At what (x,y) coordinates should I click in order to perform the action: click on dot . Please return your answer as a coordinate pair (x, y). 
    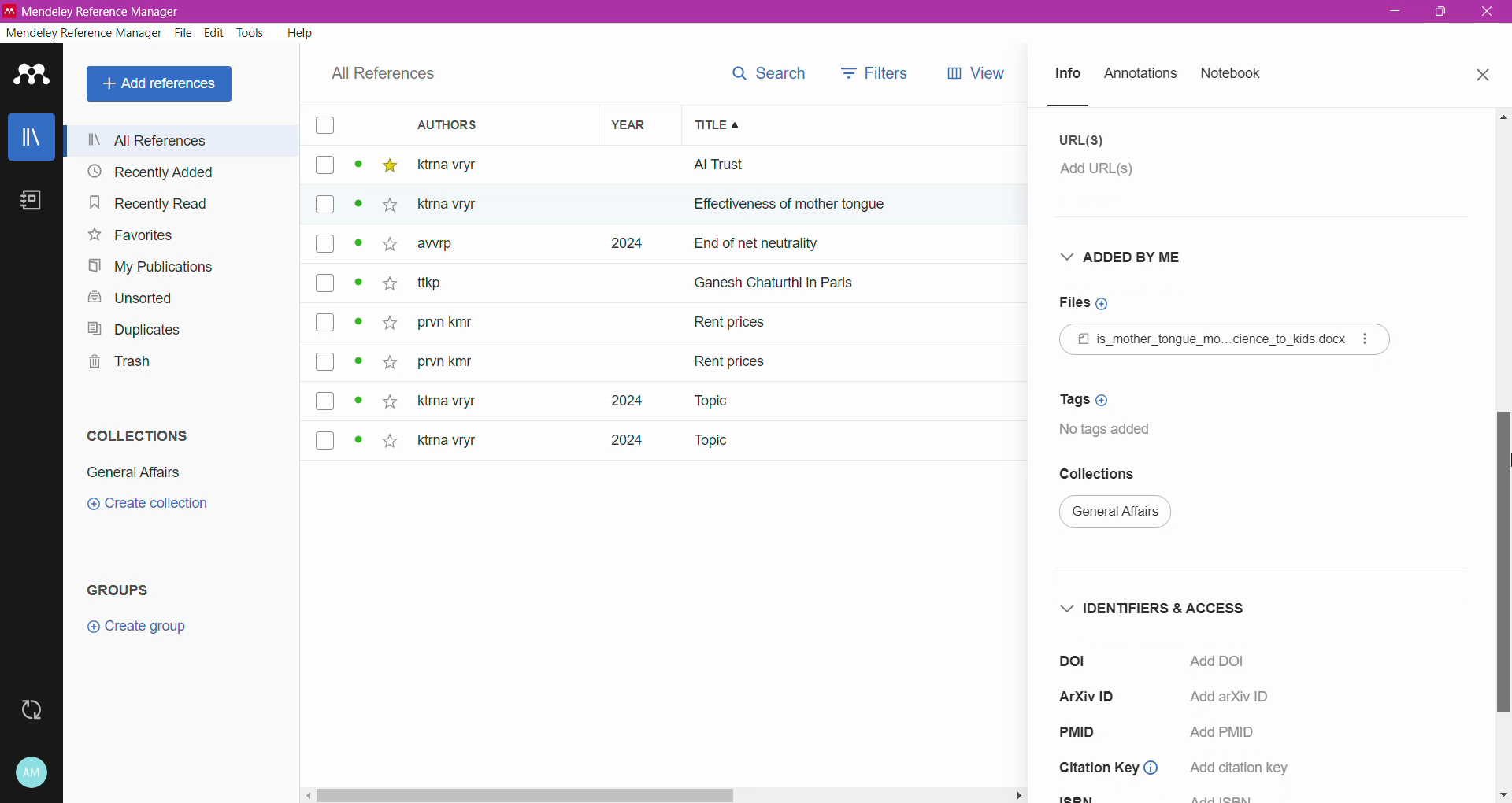
    Looking at the image, I should click on (360, 287).